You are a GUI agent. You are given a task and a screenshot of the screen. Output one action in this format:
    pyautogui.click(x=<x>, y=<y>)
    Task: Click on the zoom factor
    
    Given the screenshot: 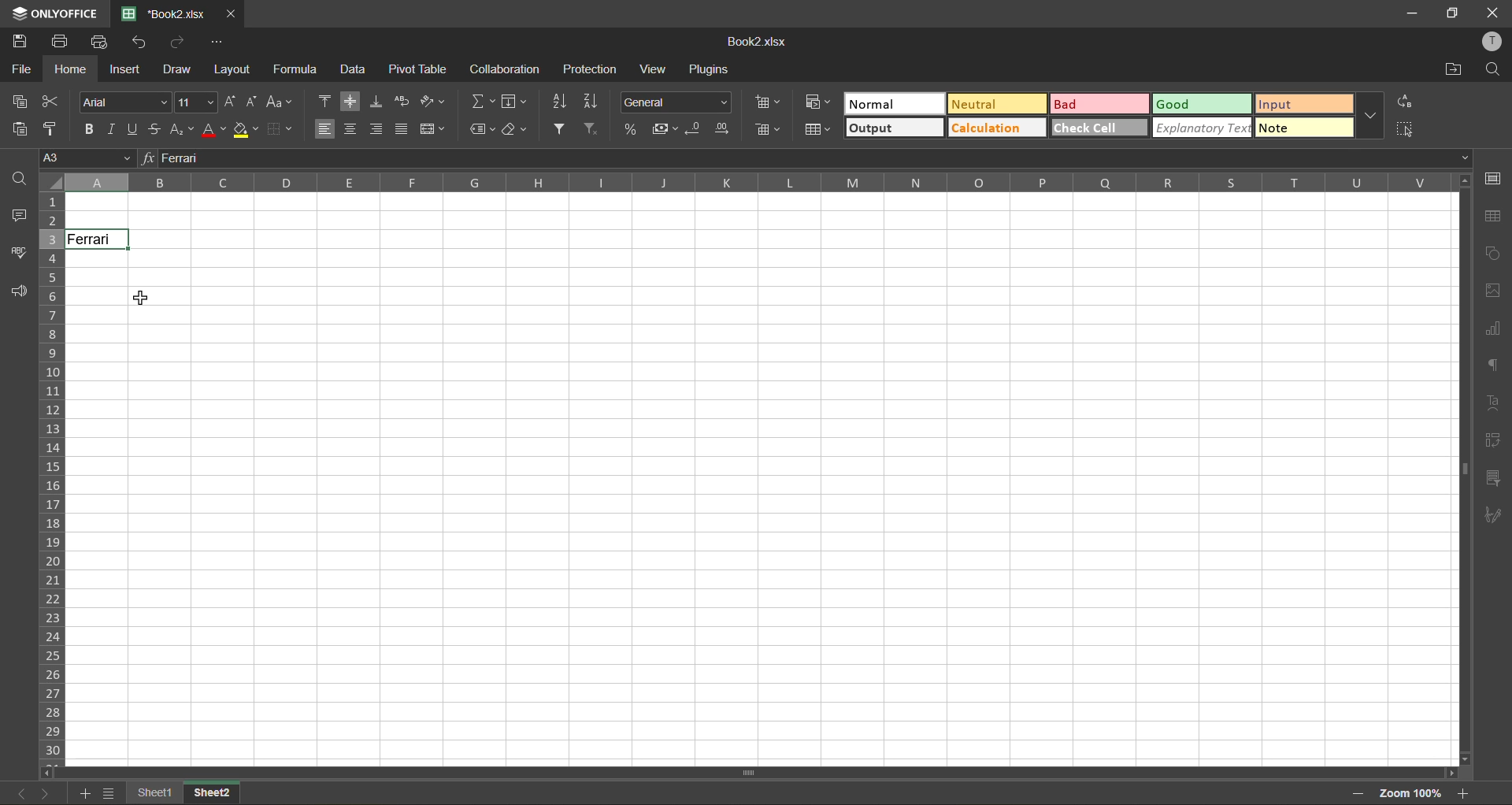 What is the action you would take?
    pyautogui.click(x=1409, y=796)
    